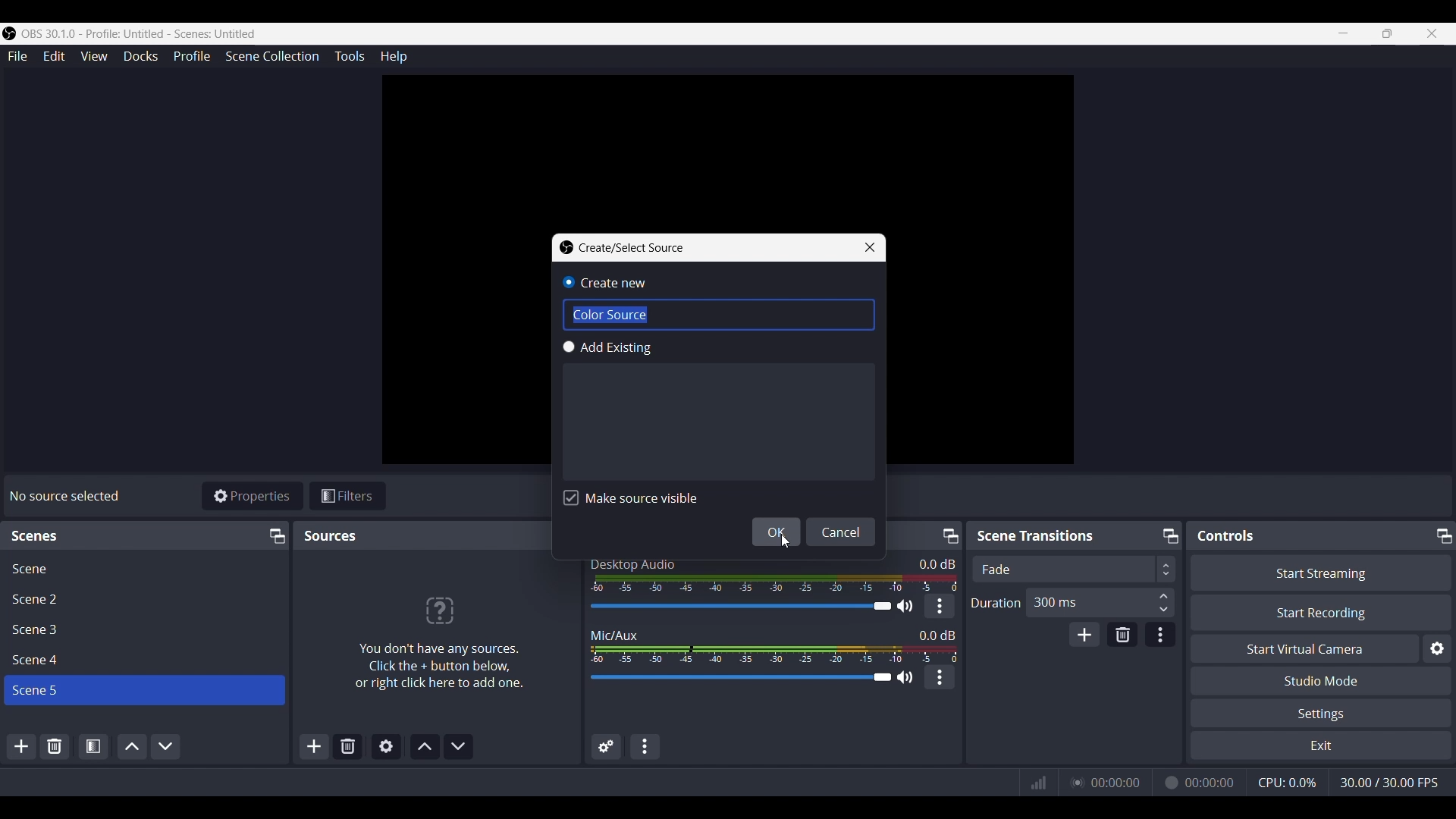 Image resolution: width=1456 pixels, height=819 pixels. Describe the element at coordinates (329, 536) in the screenshot. I see `Sources` at that location.